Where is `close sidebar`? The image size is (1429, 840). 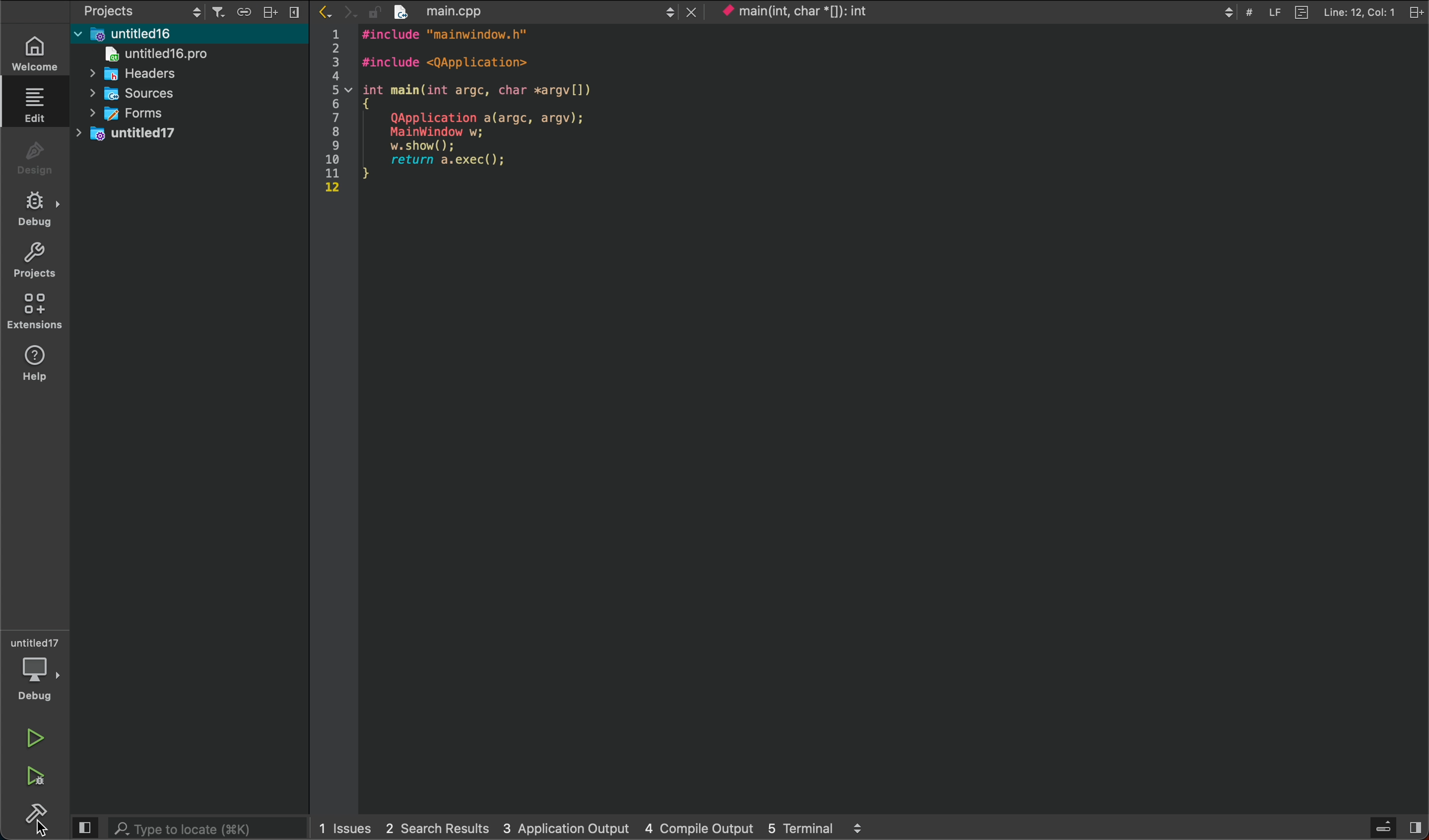 close sidebar is located at coordinates (1414, 828).